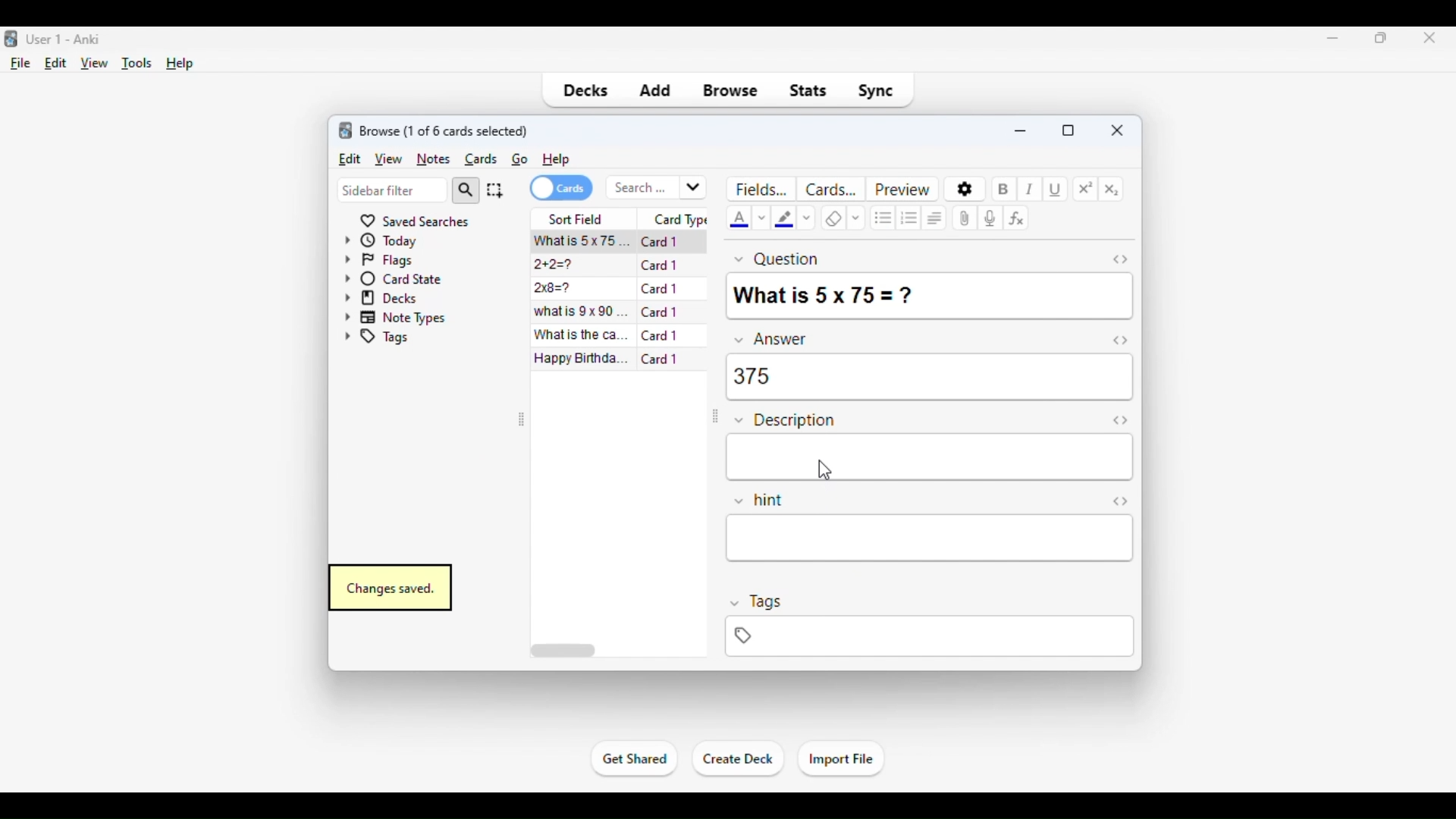 The image size is (1456, 819). I want to click on saved searches, so click(415, 219).